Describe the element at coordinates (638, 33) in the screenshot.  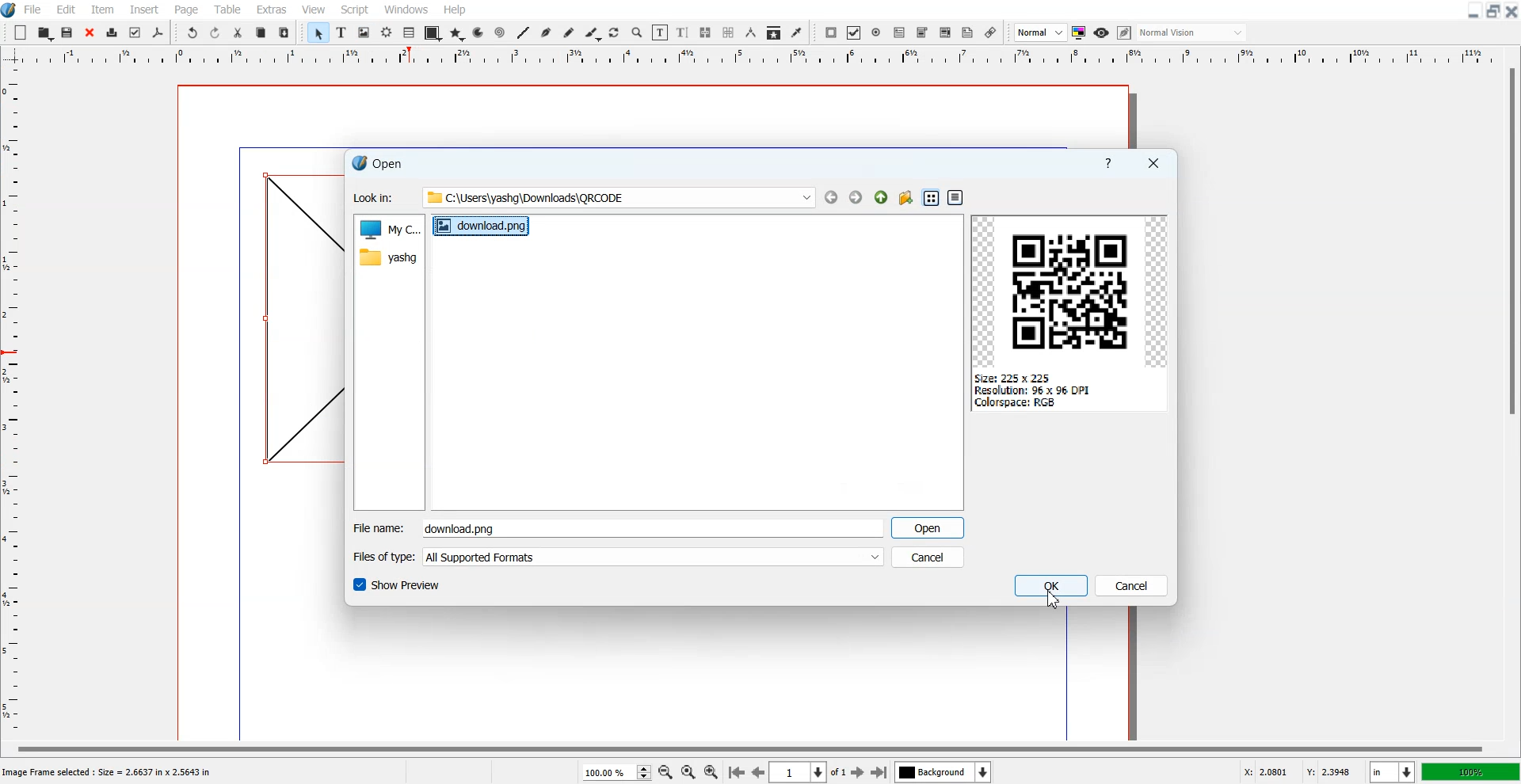
I see `Zoom in or Out` at that location.